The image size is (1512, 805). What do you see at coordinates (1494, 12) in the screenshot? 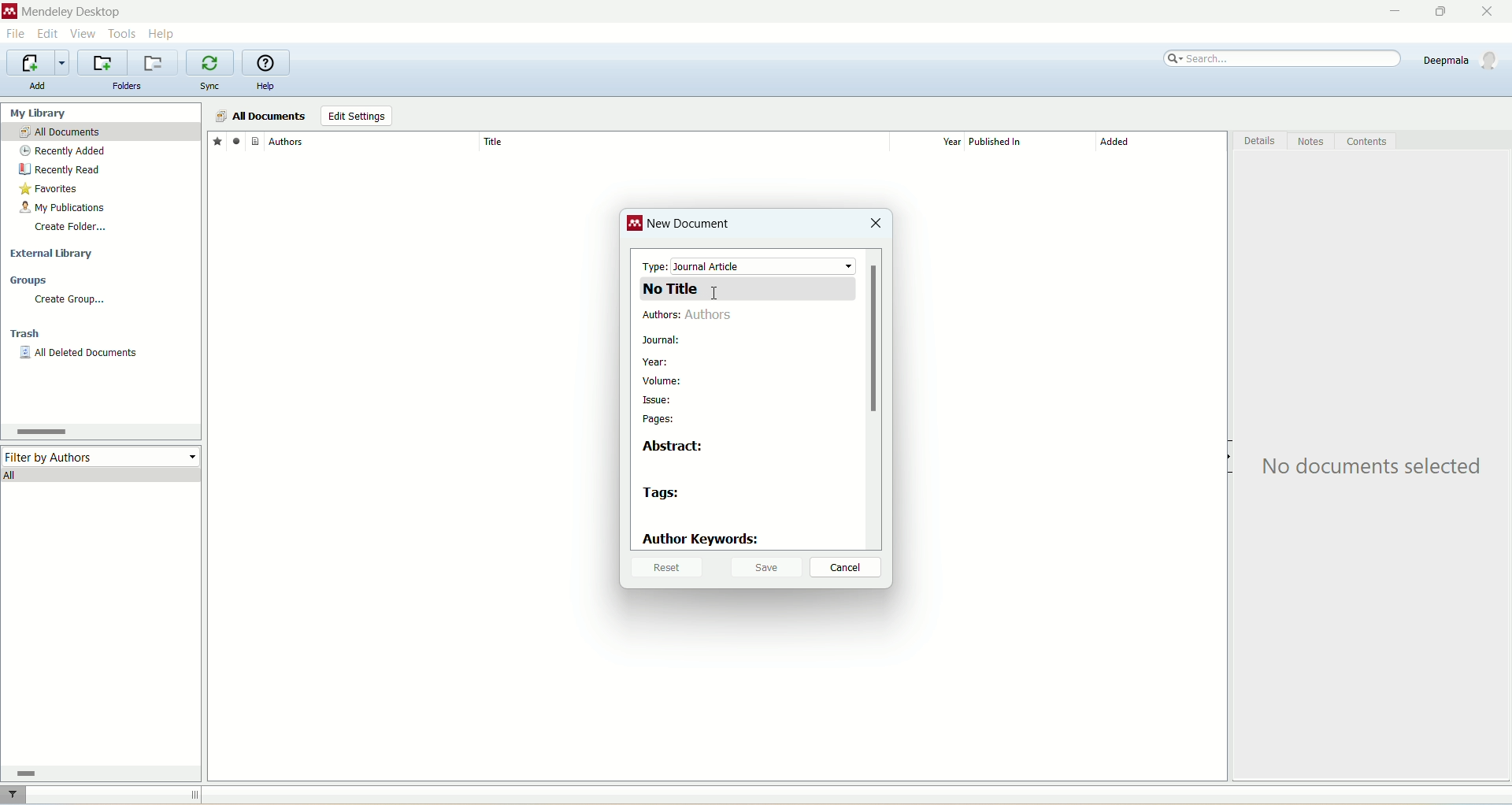
I see `close` at bounding box center [1494, 12].